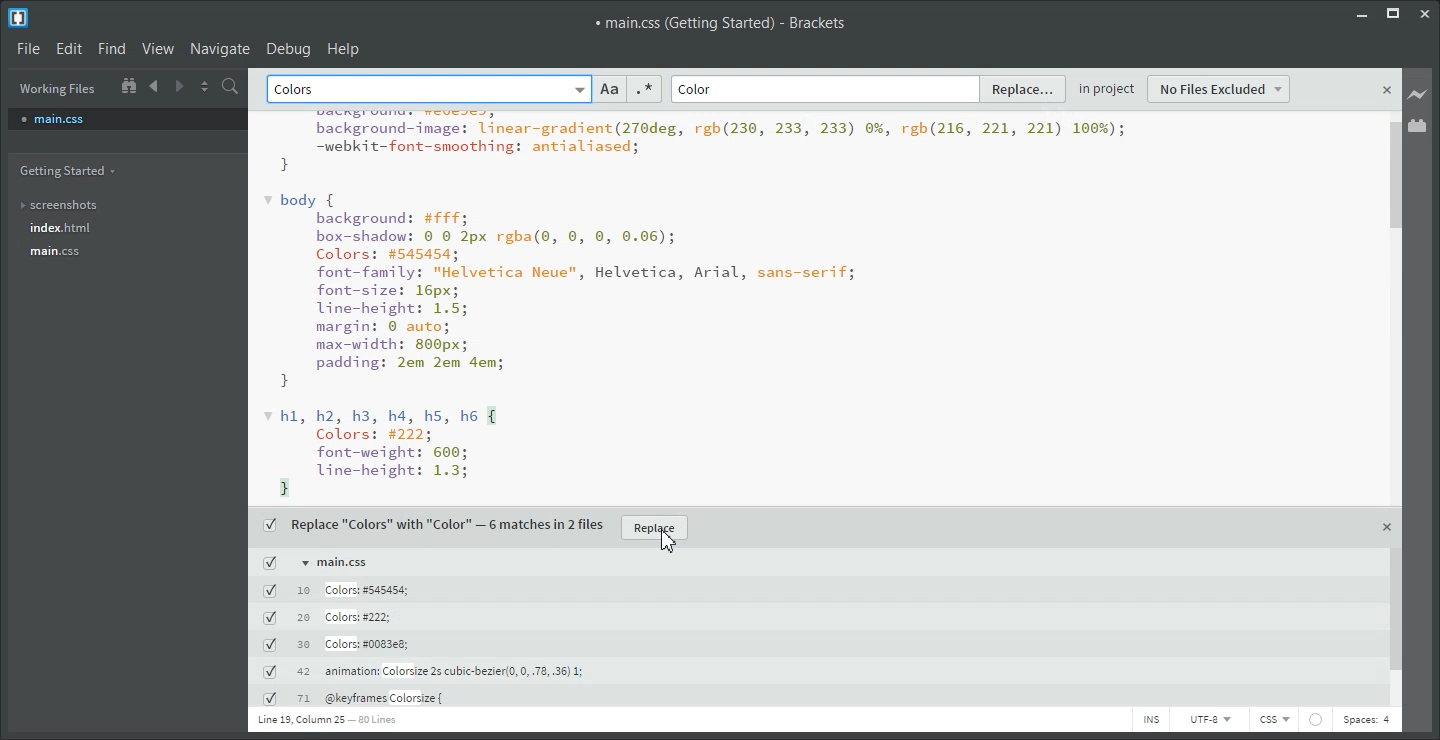 This screenshot has height=740, width=1440. I want to click on Replace "Colors" with "Color" — 6 matches in 2 files, so click(432, 525).